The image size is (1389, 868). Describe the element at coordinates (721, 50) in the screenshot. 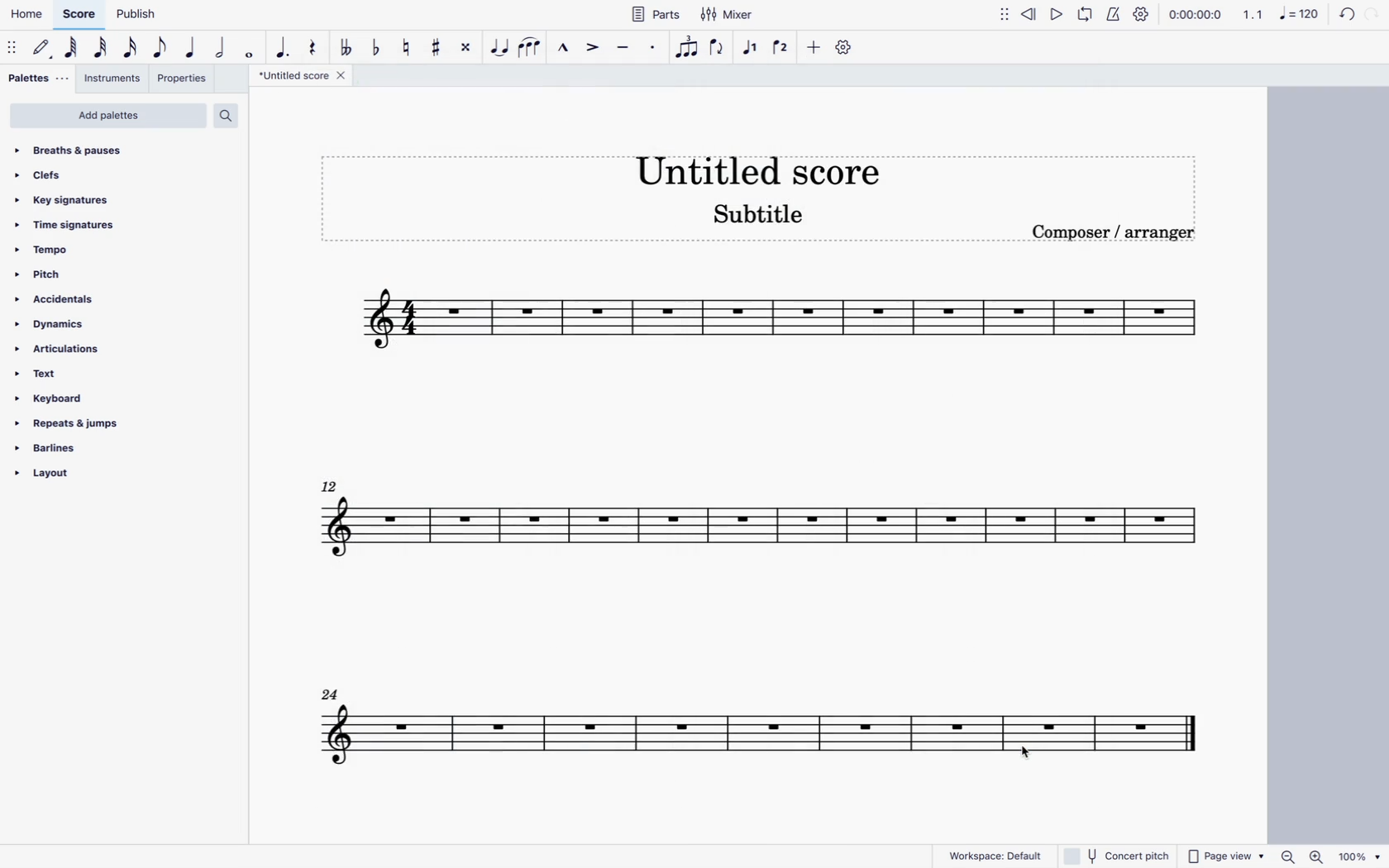

I see `flip direction` at that location.